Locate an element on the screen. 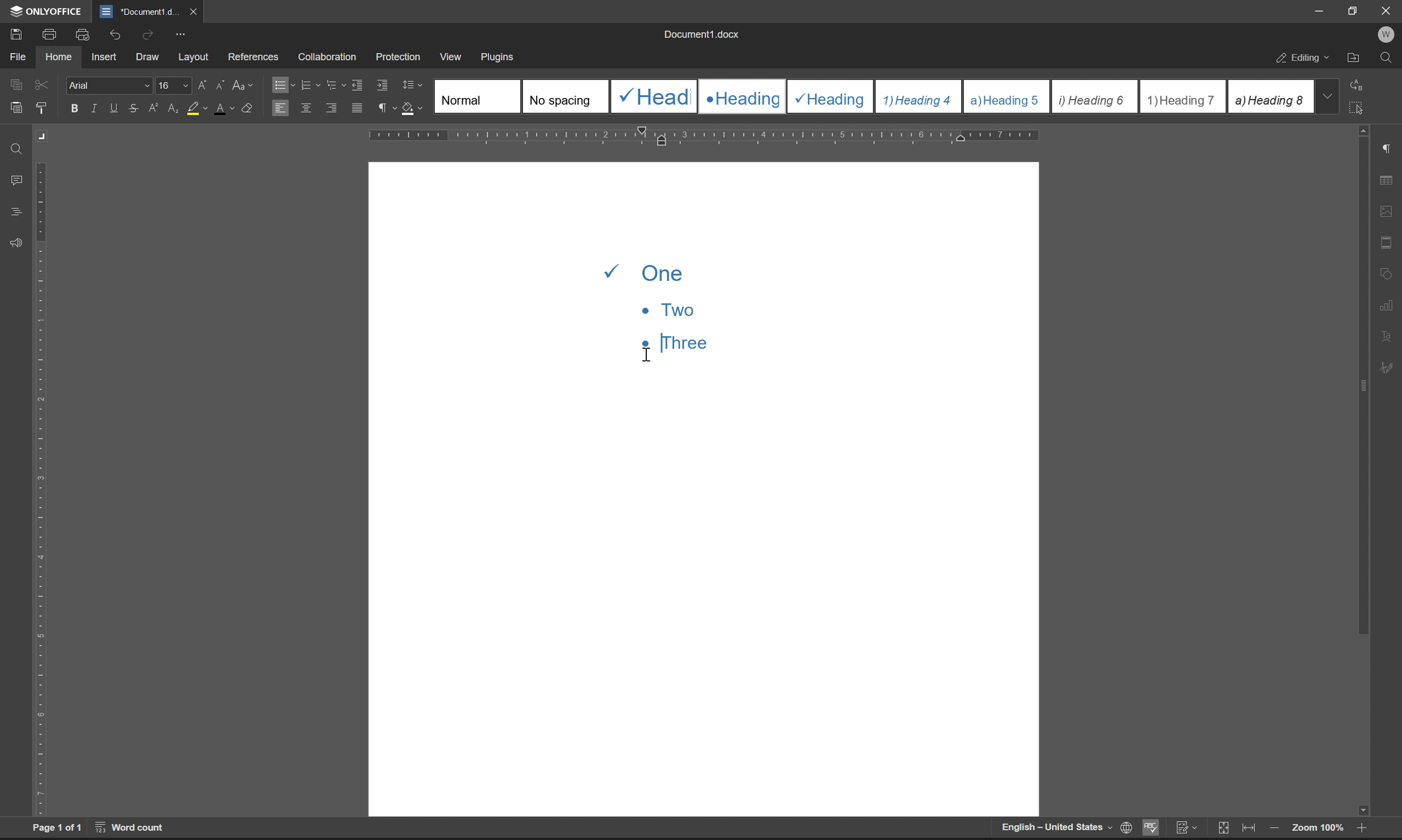 The height and width of the screenshot is (840, 1402). draw is located at coordinates (151, 58).